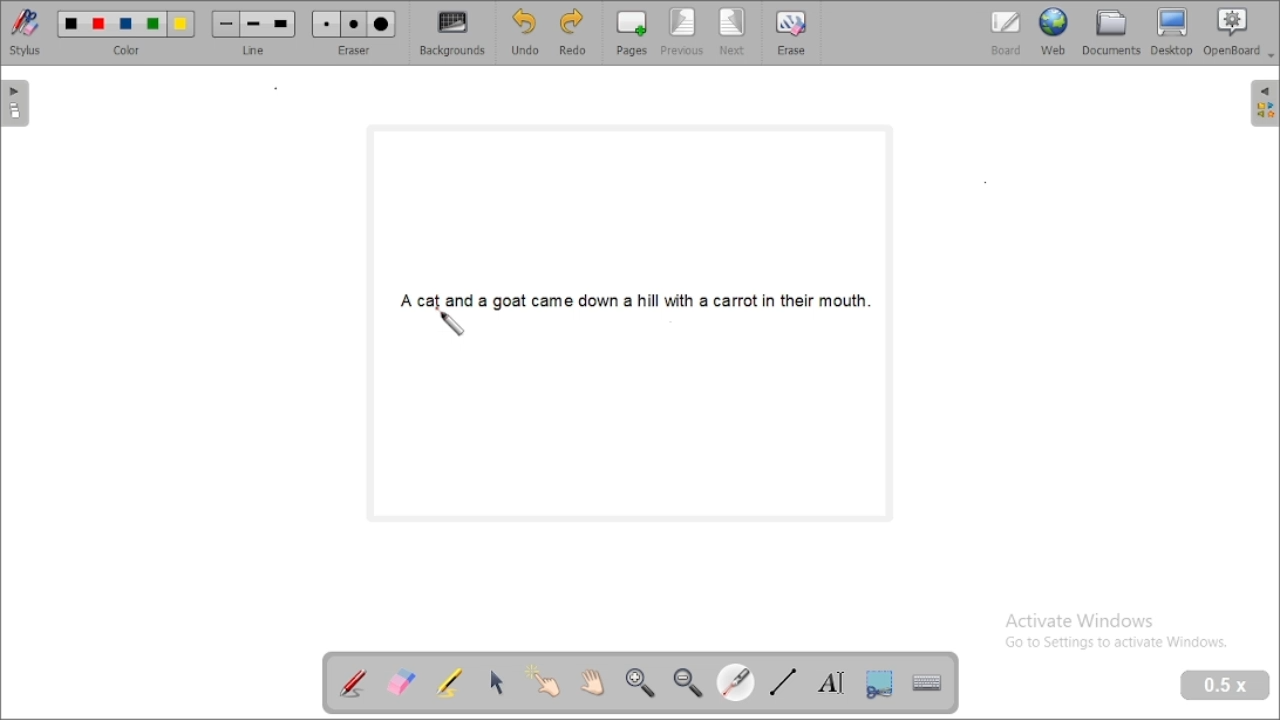 Image resolution: width=1280 pixels, height=720 pixels. Describe the element at coordinates (450, 681) in the screenshot. I see `highlight` at that location.